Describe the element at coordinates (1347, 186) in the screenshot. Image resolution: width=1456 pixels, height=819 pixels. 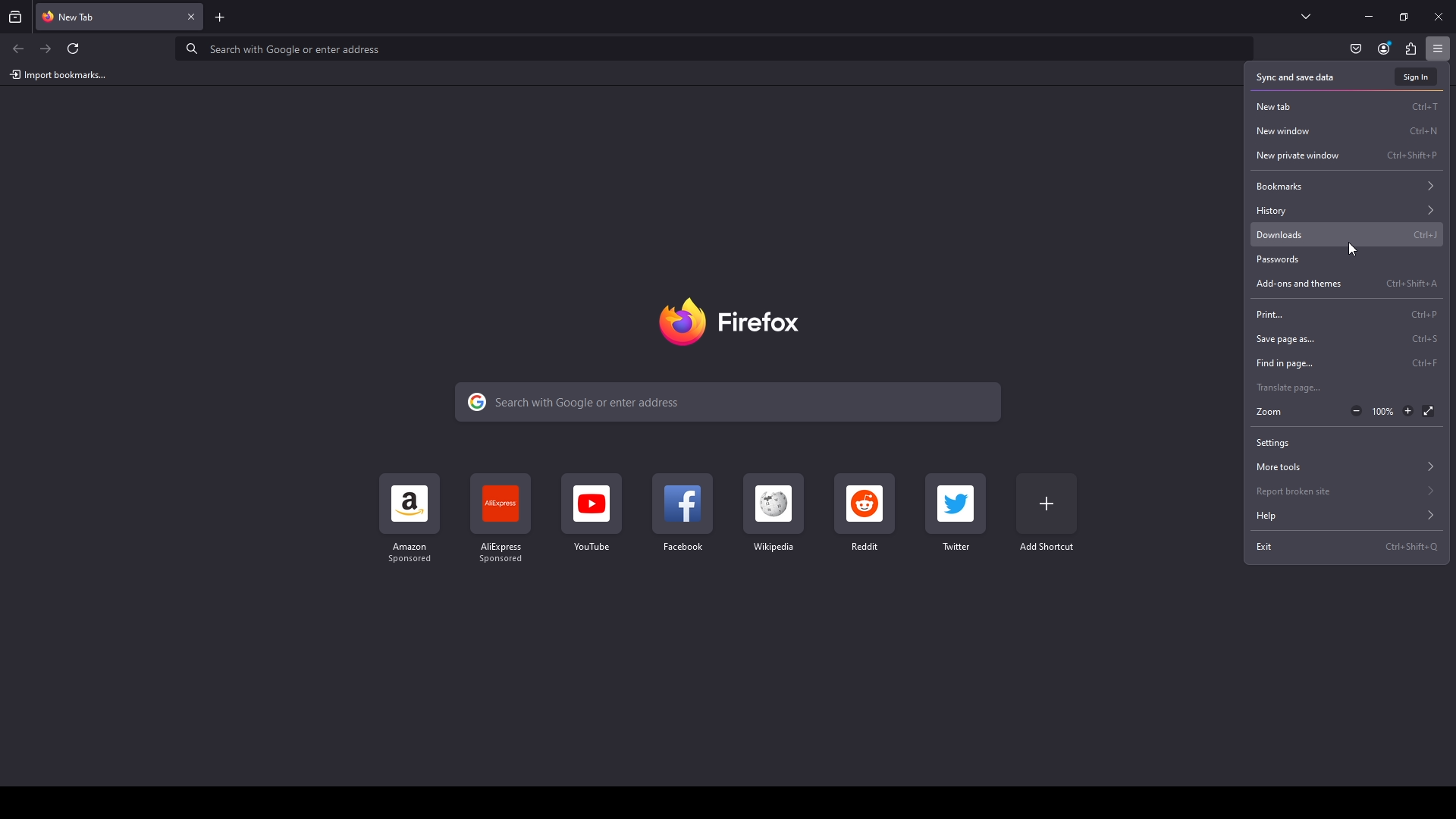
I see `Bookmarks` at that location.